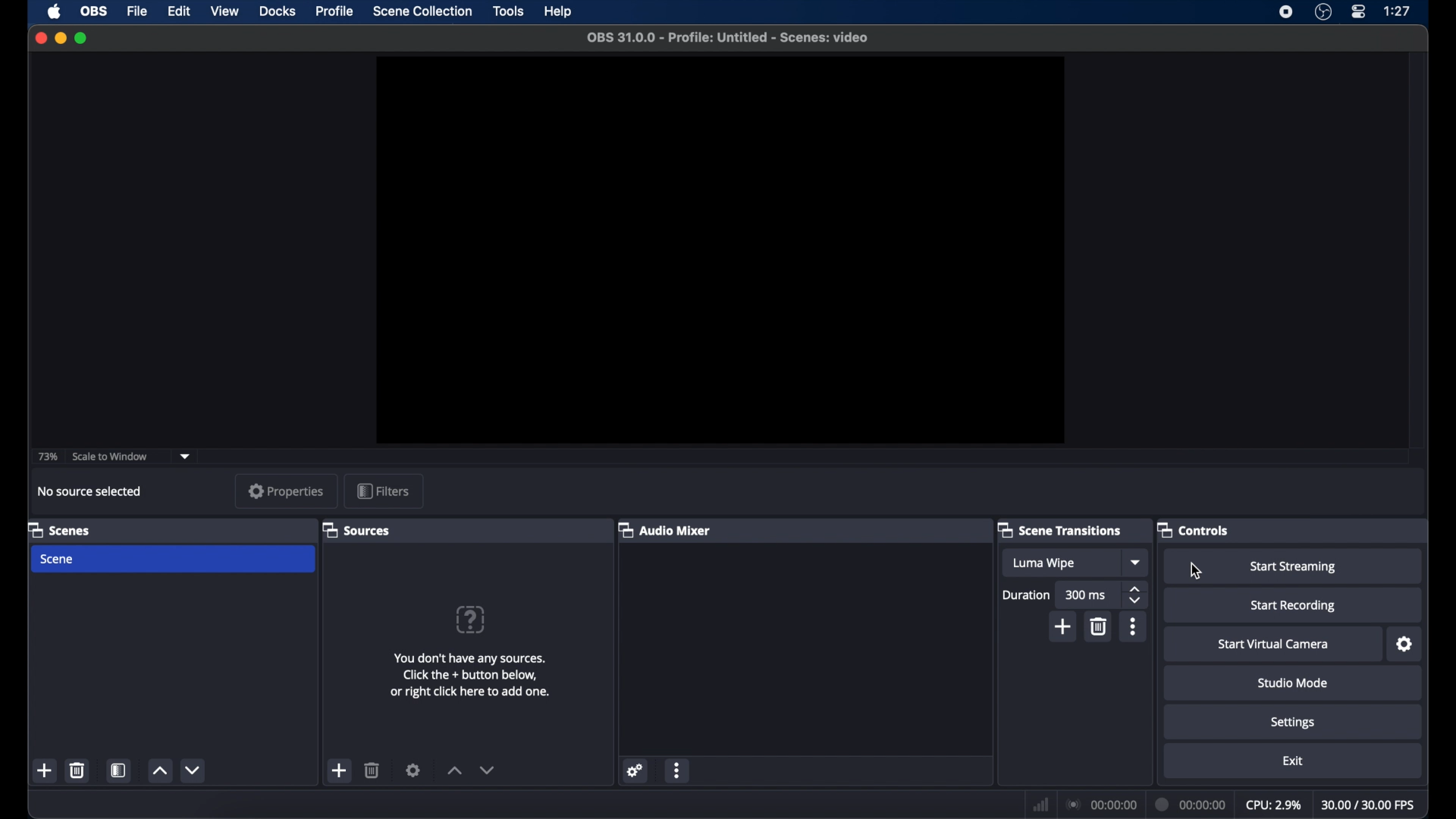 The image size is (1456, 819). Describe the element at coordinates (730, 38) in the screenshot. I see `file name` at that location.